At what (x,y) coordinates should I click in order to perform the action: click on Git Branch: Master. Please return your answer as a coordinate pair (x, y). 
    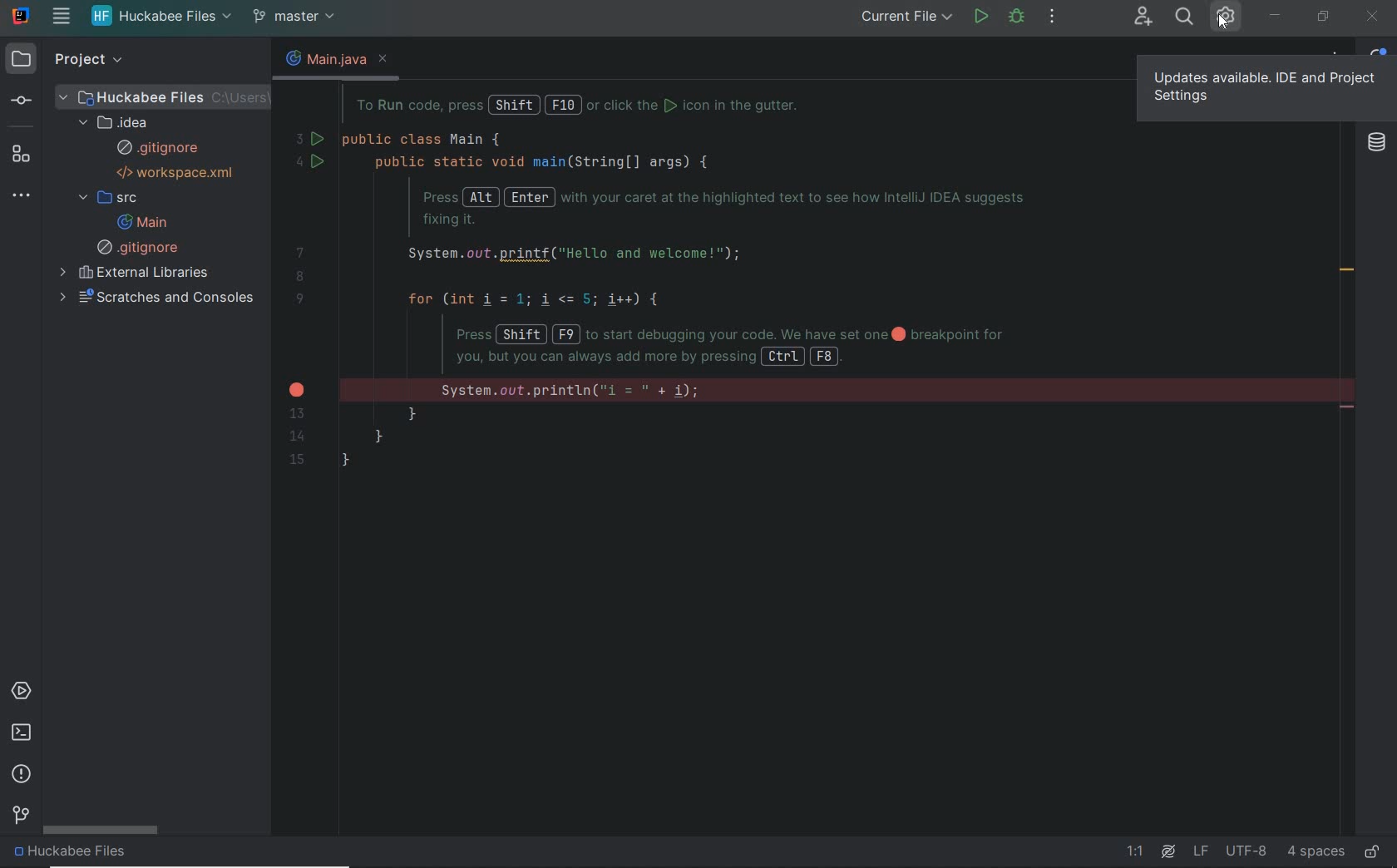
    Looking at the image, I should click on (298, 17).